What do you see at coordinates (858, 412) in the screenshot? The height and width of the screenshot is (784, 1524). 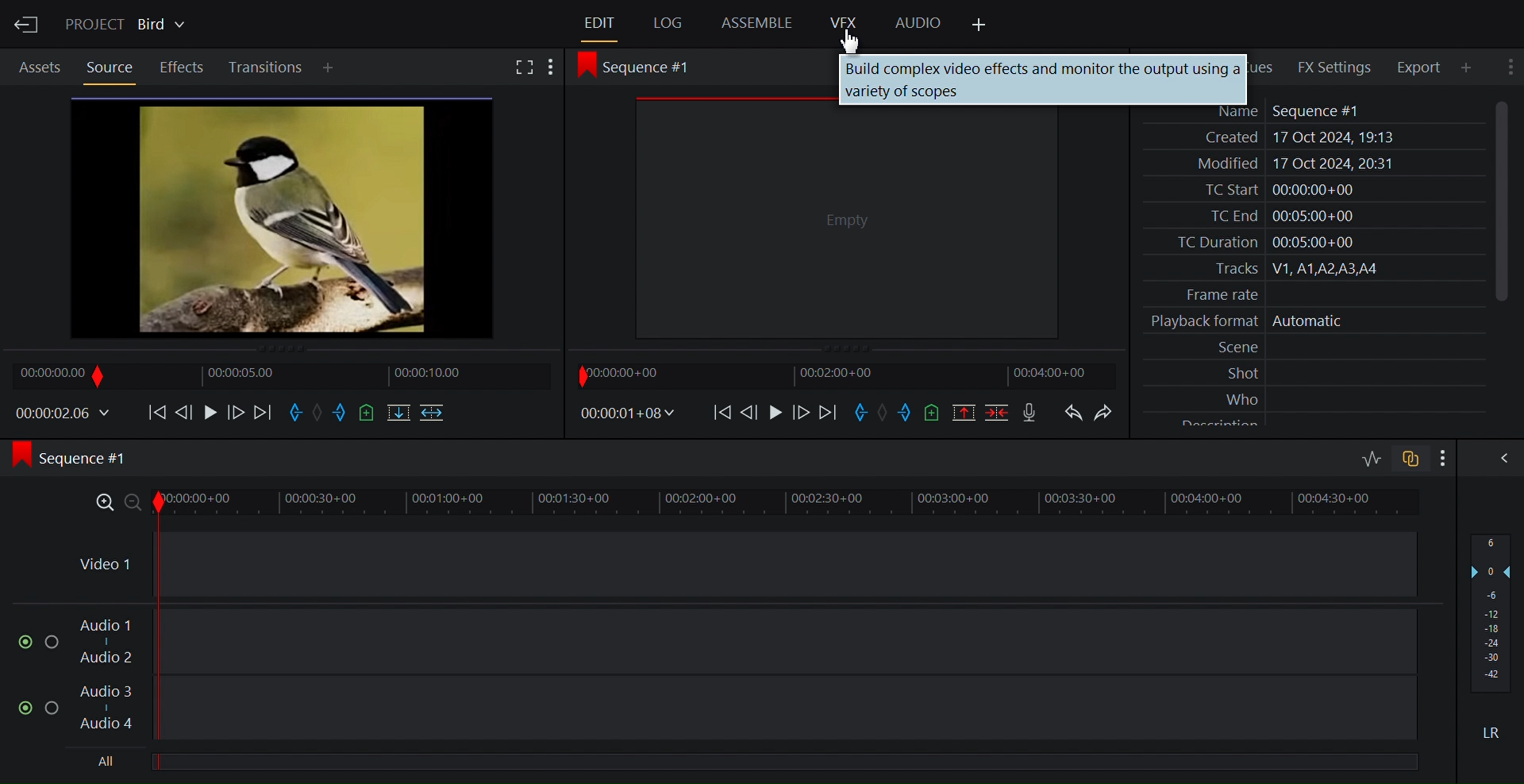 I see `Mark in` at bounding box center [858, 412].